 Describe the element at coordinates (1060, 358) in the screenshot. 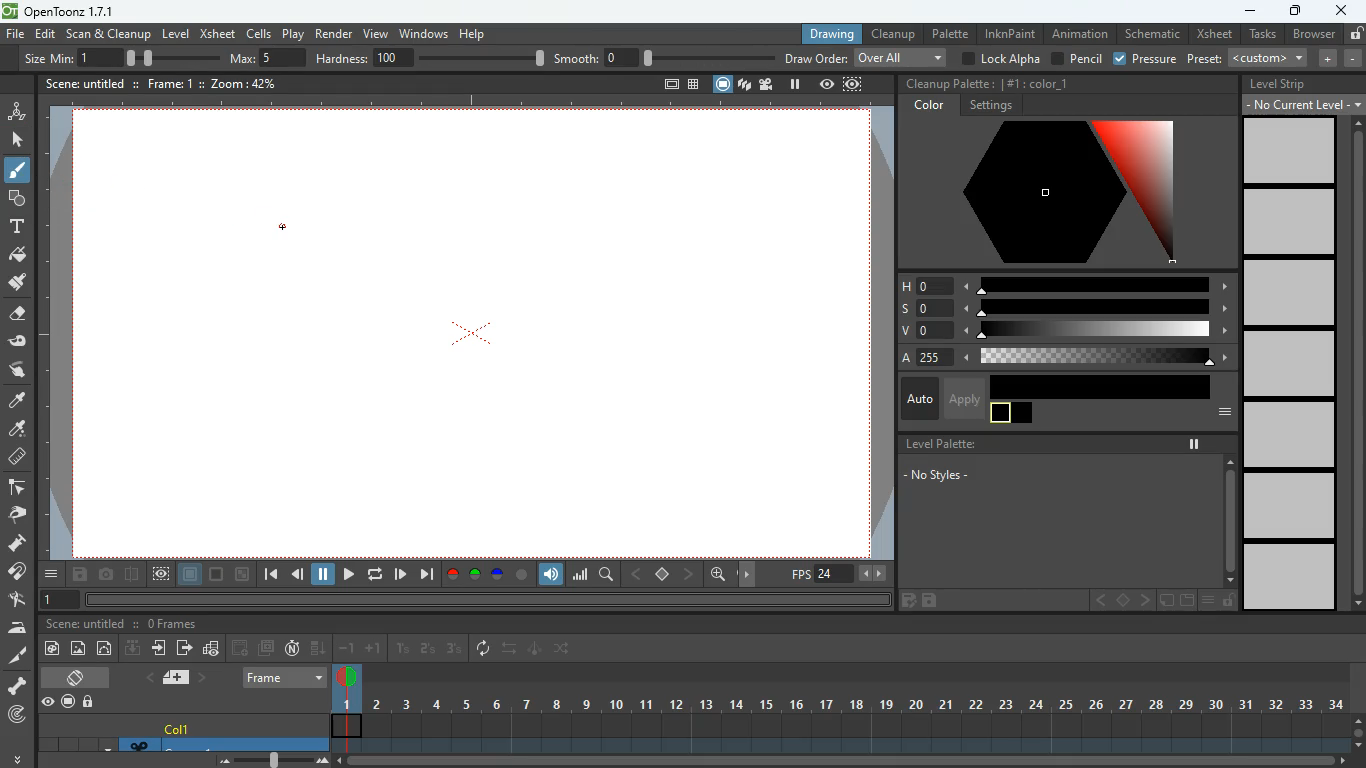

I see `a` at that location.